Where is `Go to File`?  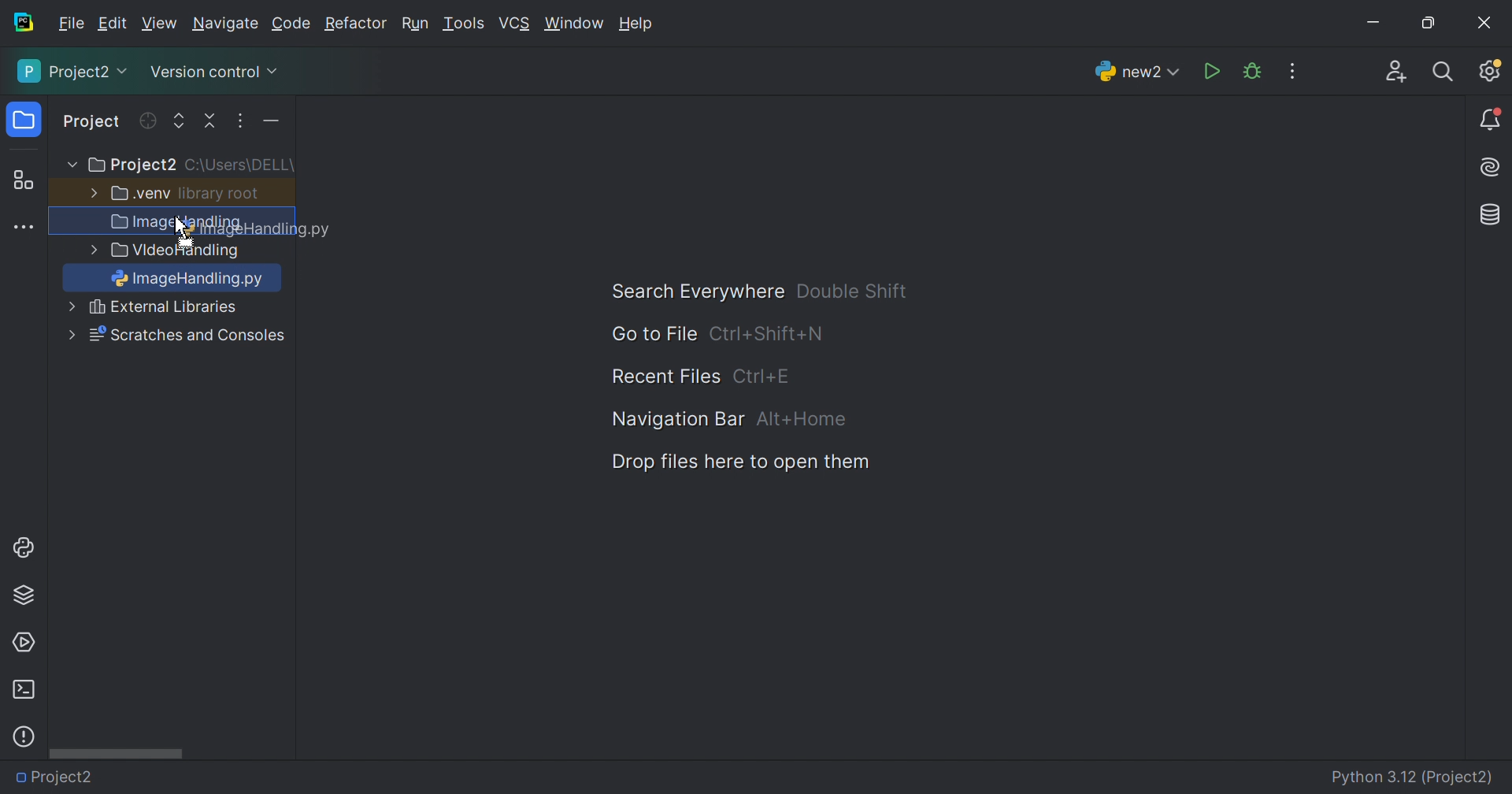 Go to File is located at coordinates (653, 334).